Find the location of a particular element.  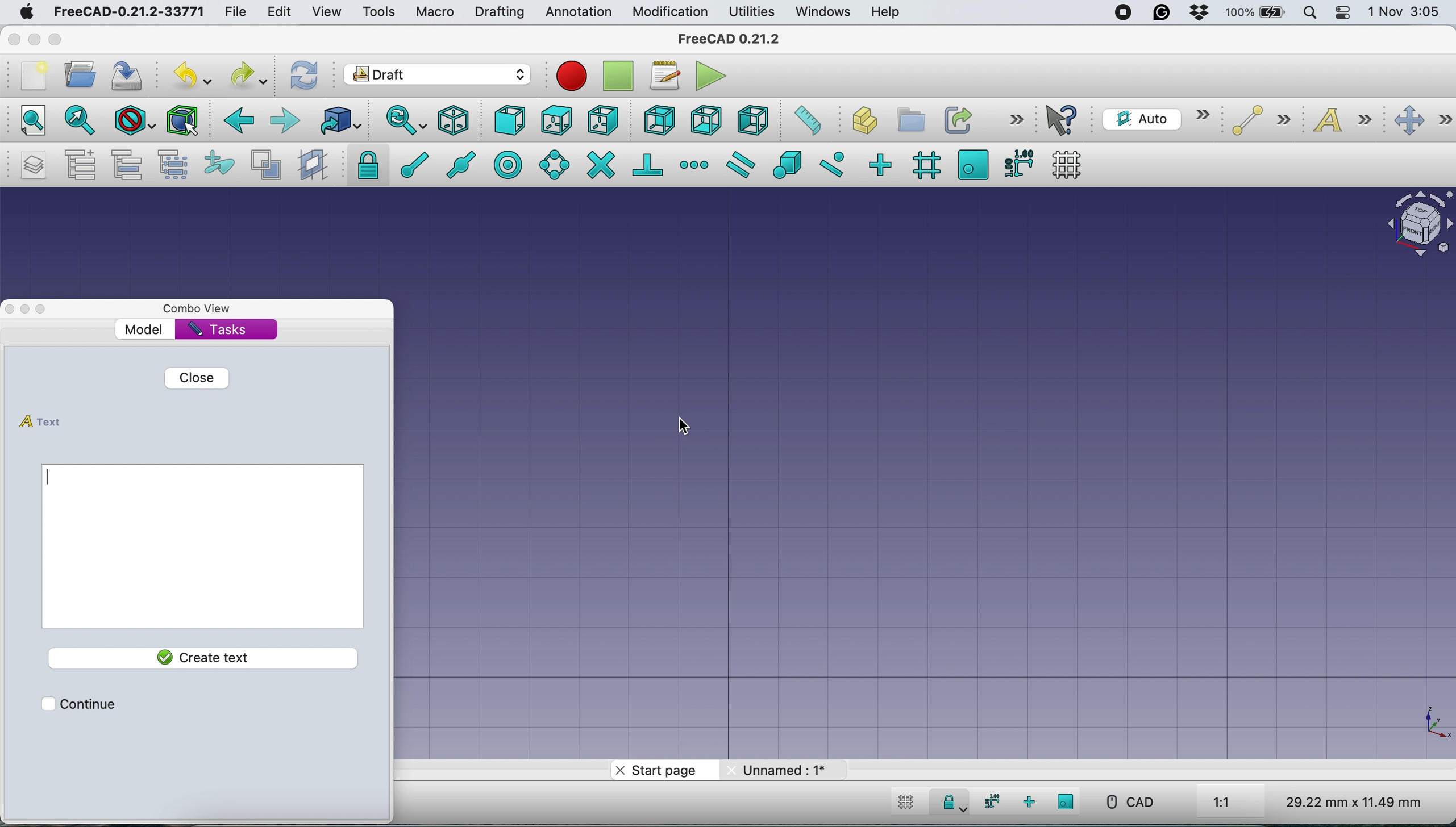

forward is located at coordinates (284, 121).